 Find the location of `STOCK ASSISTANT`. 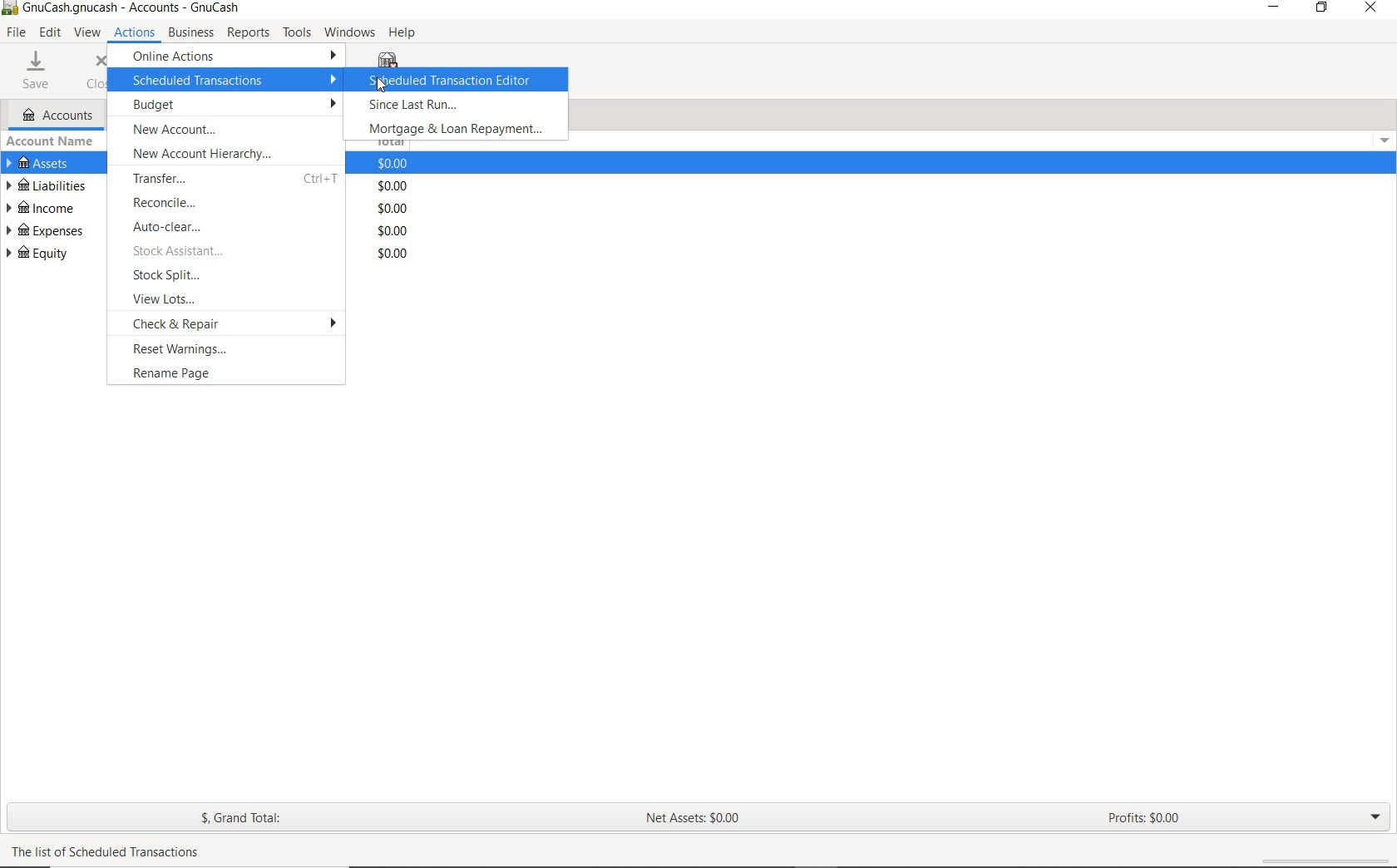

STOCK ASSISTANT is located at coordinates (233, 253).